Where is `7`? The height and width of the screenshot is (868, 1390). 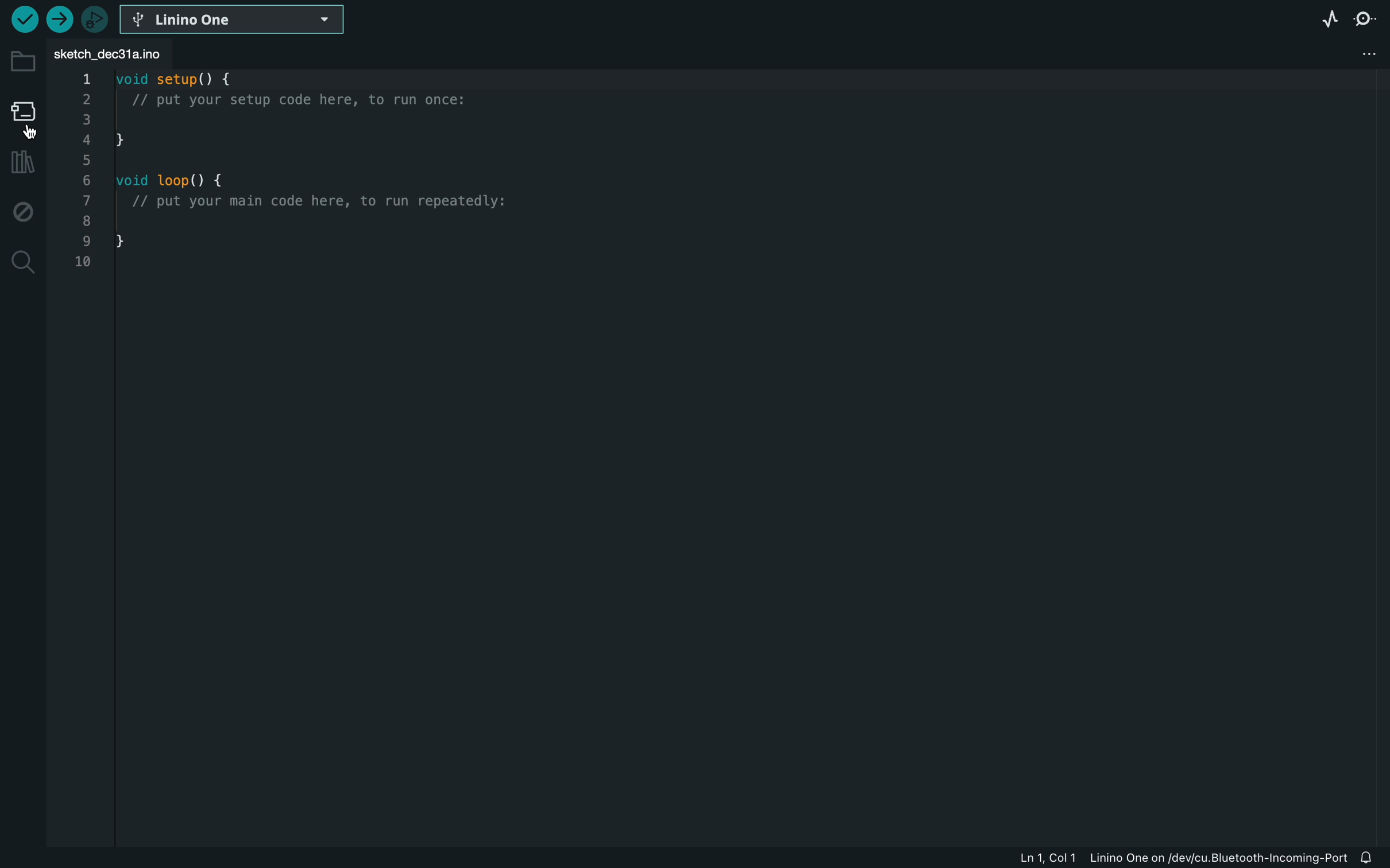 7 is located at coordinates (85, 200).